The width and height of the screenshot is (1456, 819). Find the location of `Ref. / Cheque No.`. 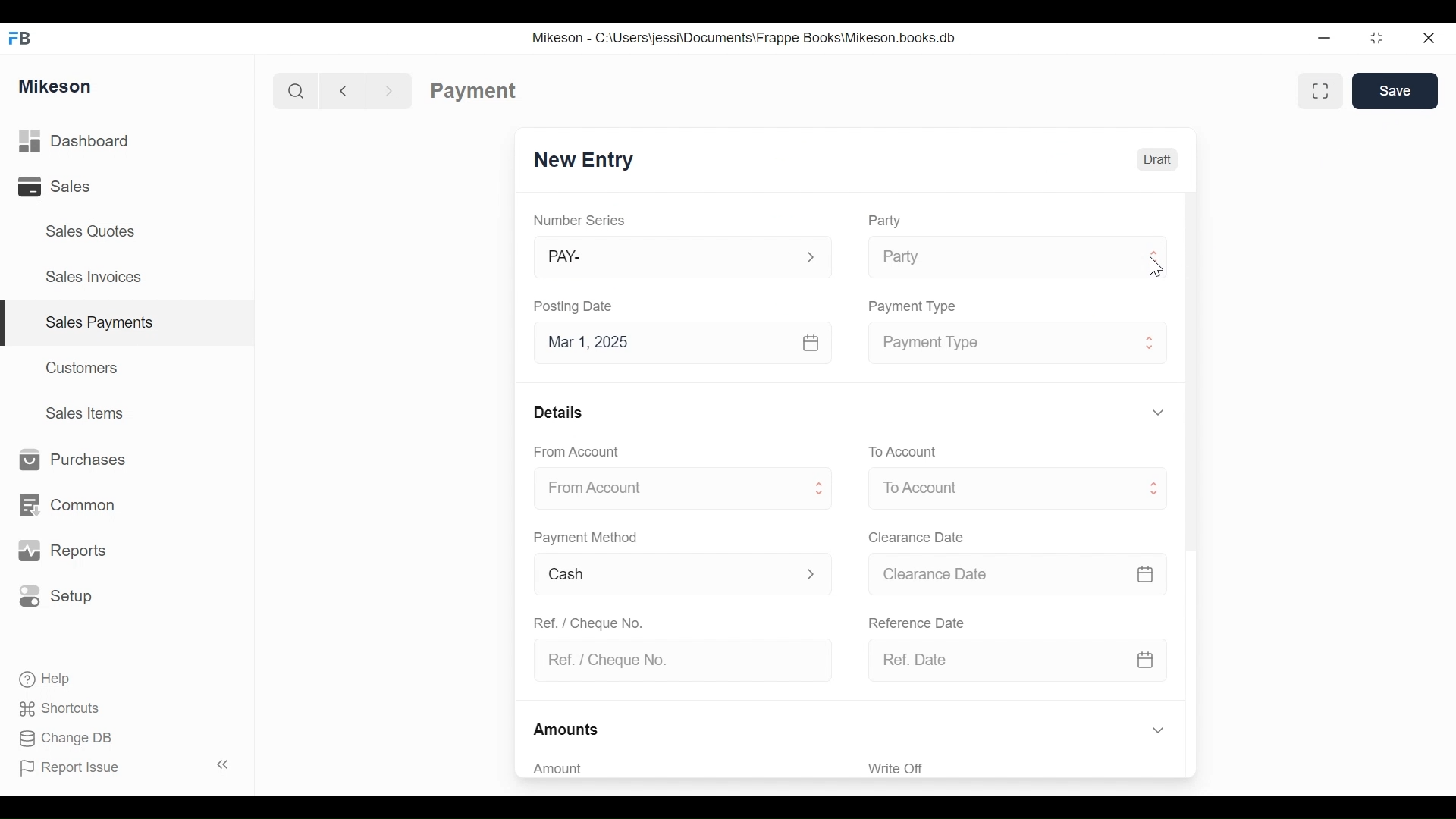

Ref. / Cheque No. is located at coordinates (687, 660).